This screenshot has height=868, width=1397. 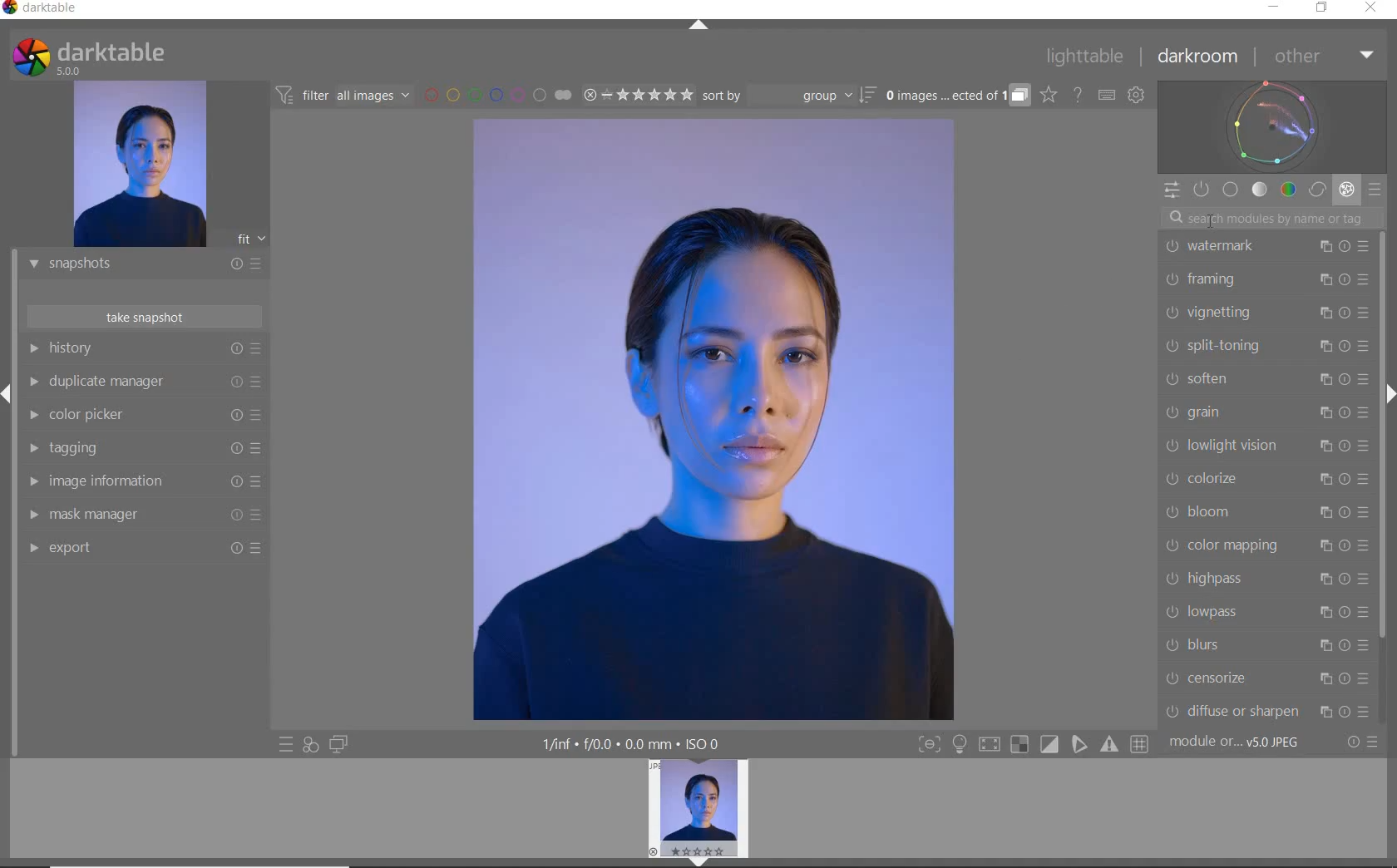 I want to click on Button, so click(x=960, y=746).